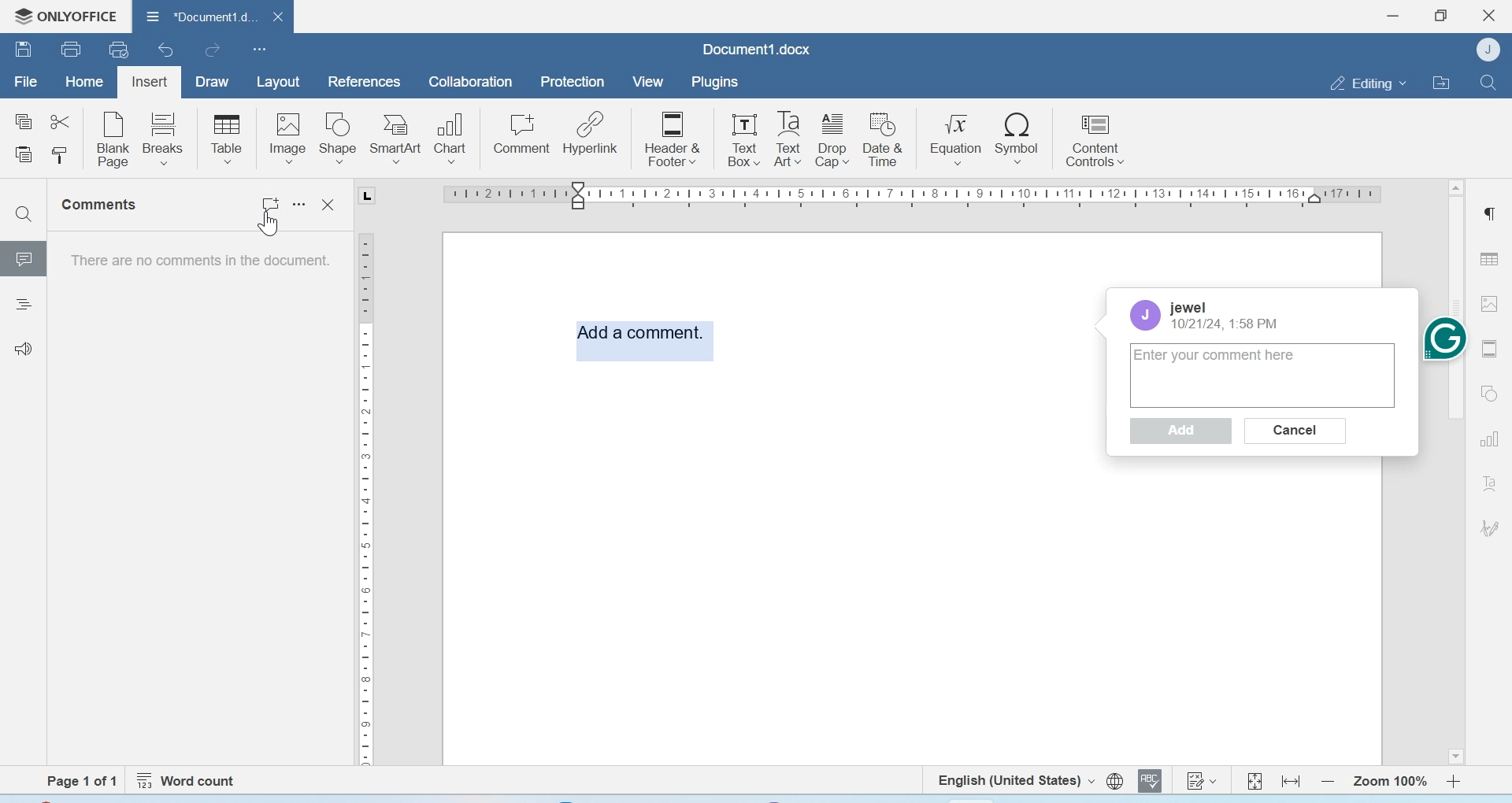 Image resolution: width=1512 pixels, height=803 pixels. I want to click on Symbol, so click(1018, 137).